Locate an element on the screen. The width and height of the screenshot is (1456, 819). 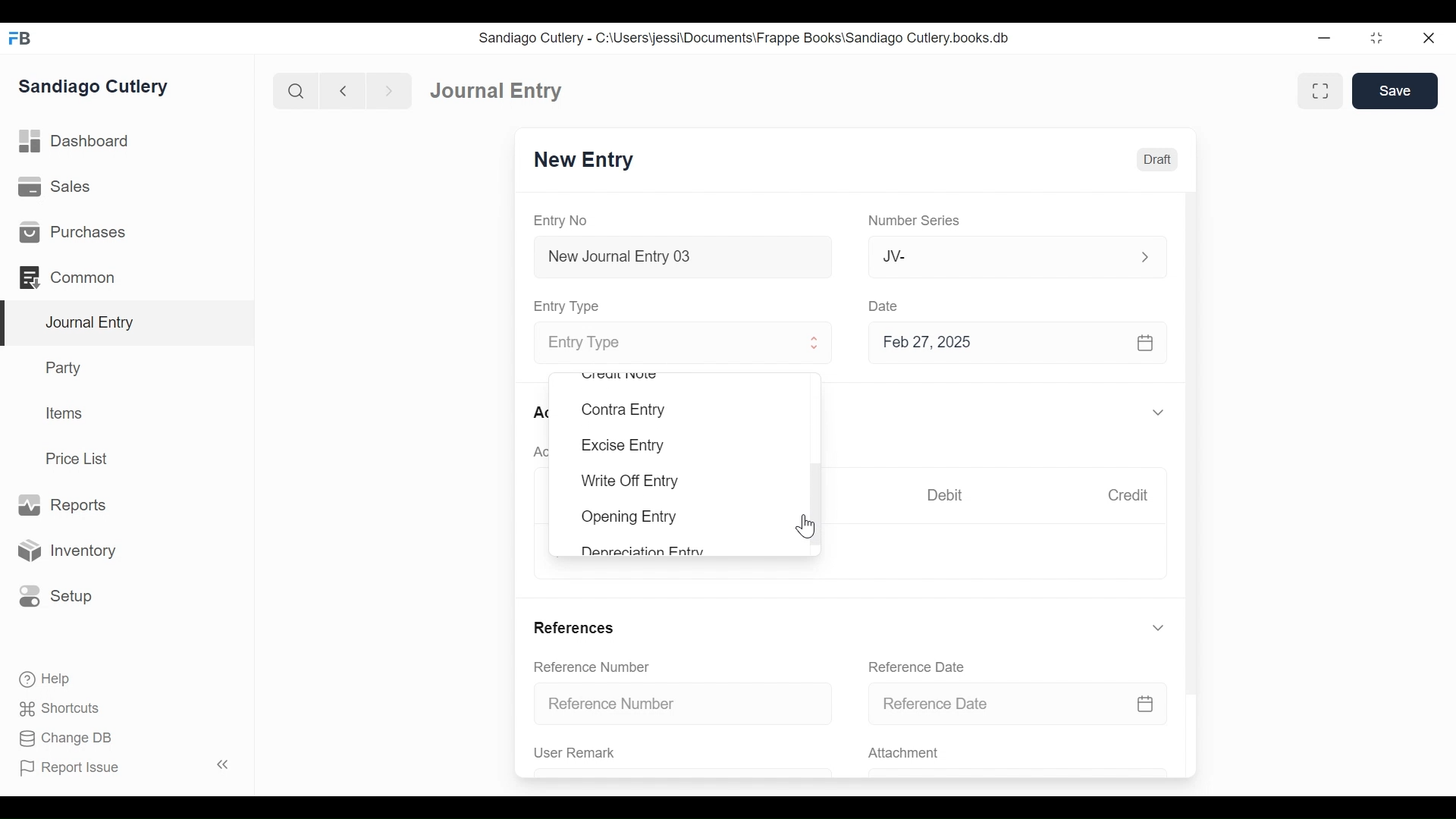
New Entry is located at coordinates (585, 161).